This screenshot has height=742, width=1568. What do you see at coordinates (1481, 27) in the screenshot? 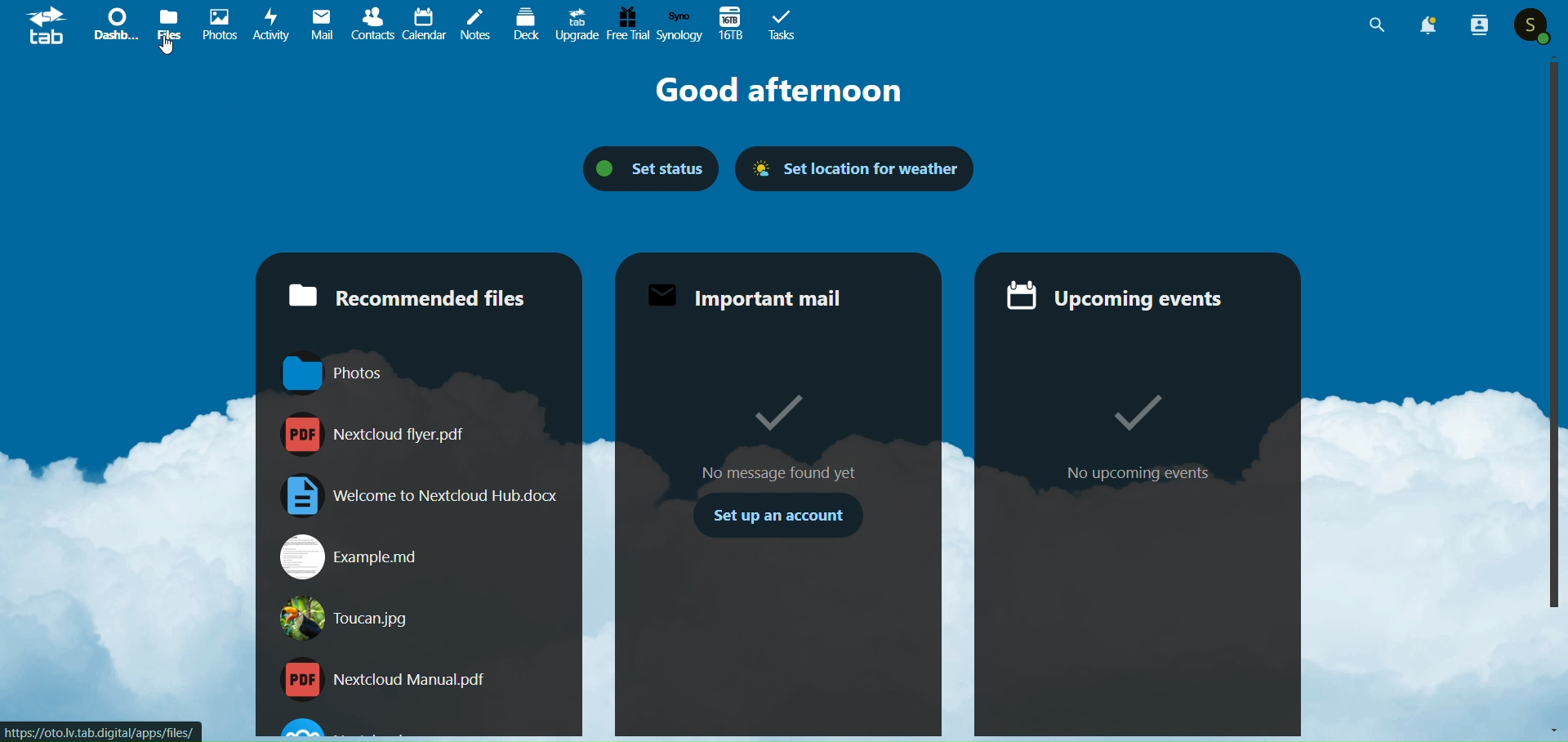
I see `people` at bounding box center [1481, 27].